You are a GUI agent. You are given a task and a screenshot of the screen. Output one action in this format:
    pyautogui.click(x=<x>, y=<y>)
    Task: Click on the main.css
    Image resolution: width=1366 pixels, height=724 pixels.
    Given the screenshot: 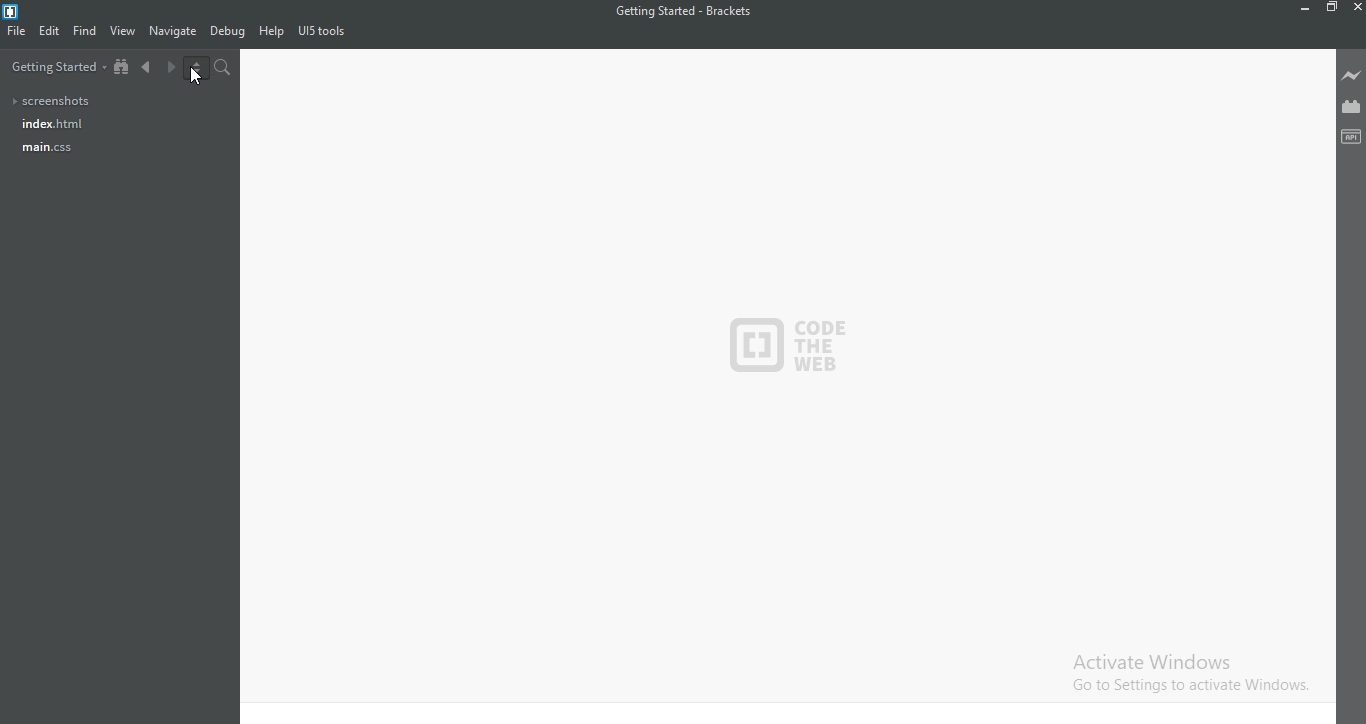 What is the action you would take?
    pyautogui.click(x=47, y=150)
    